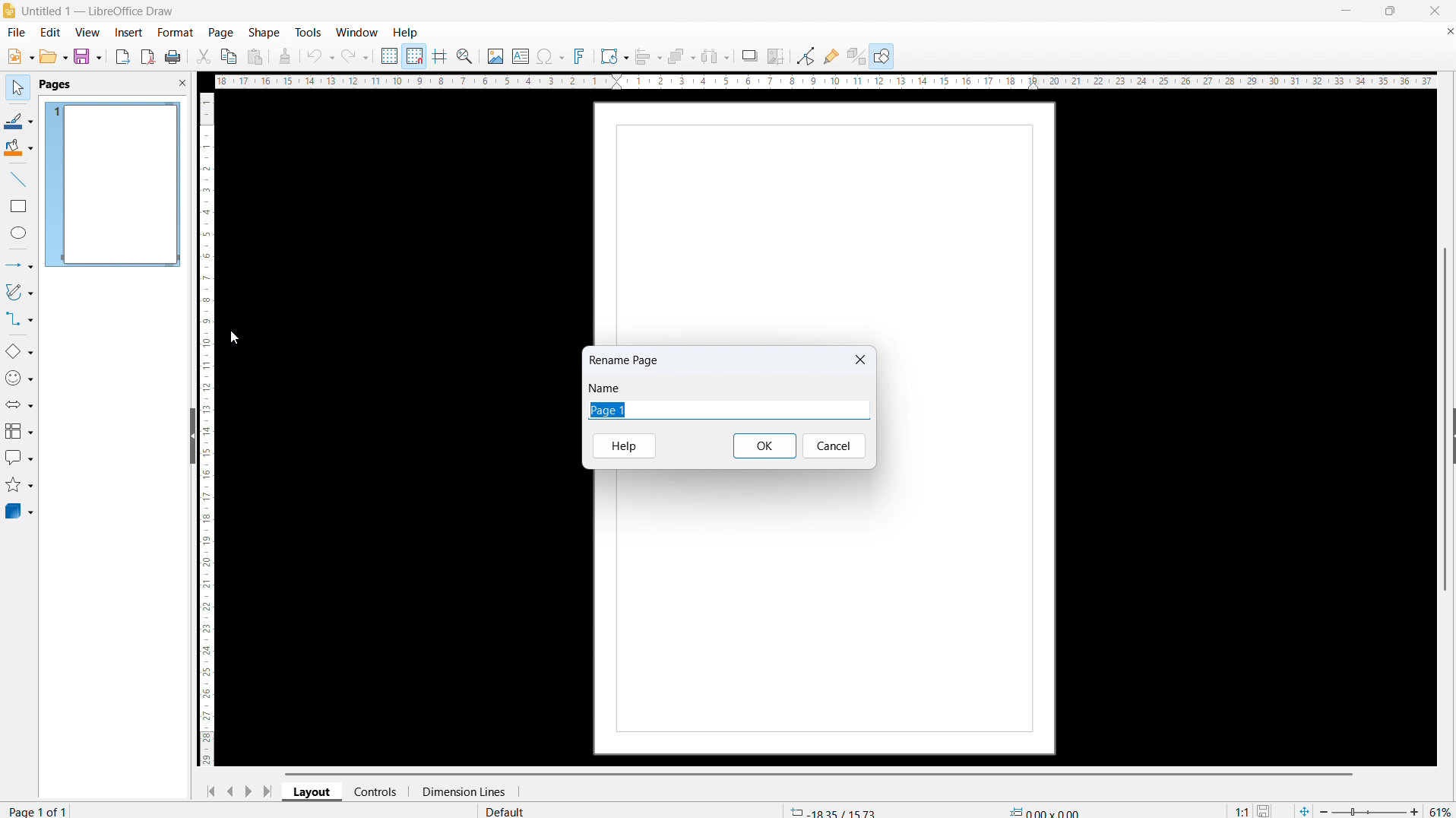  What do you see at coordinates (20, 432) in the screenshot?
I see `flowchart` at bounding box center [20, 432].